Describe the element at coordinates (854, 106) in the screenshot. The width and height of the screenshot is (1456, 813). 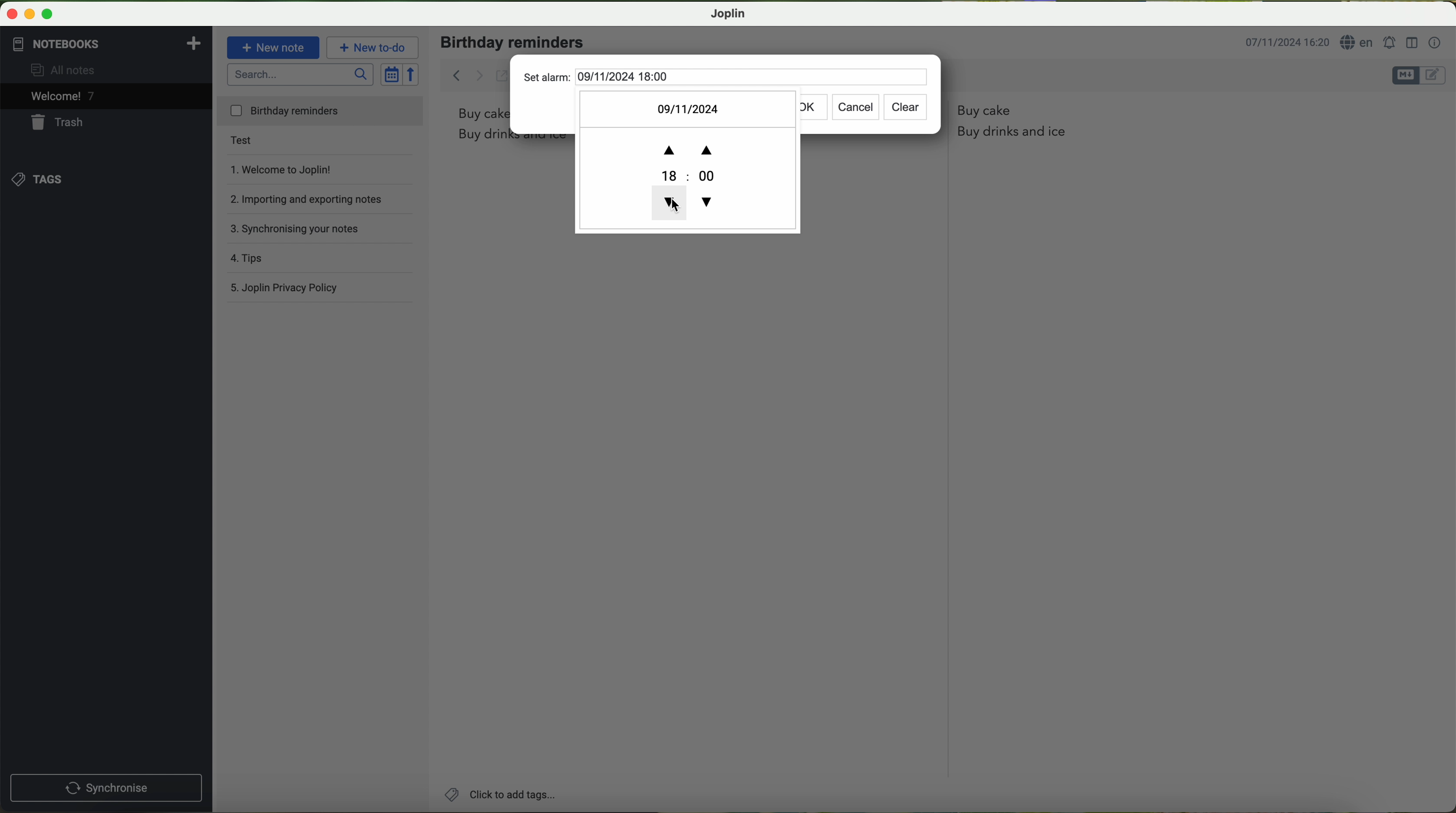
I see `cancel` at that location.